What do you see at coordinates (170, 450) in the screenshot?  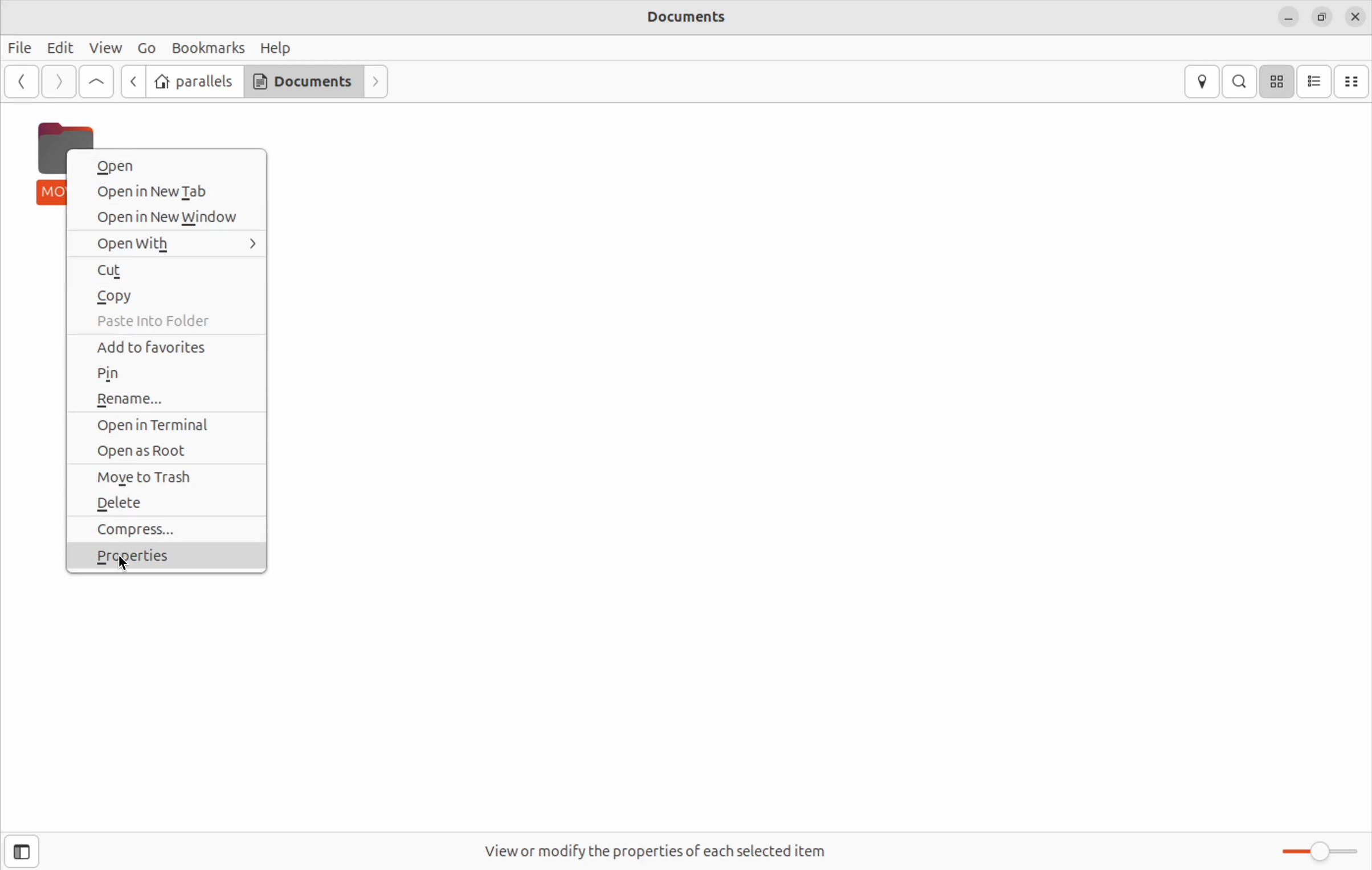 I see `Open as Root` at bounding box center [170, 450].